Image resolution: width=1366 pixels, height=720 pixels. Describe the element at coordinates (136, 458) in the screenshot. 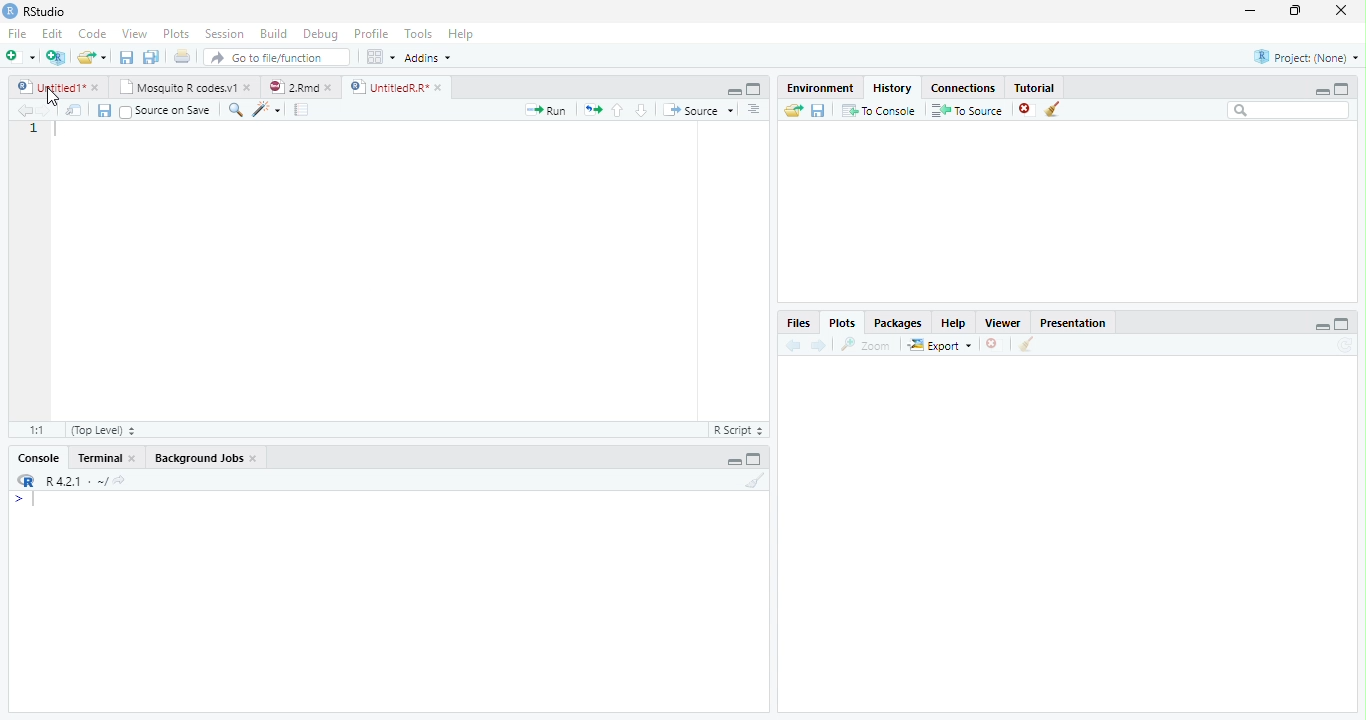

I see `close` at that location.